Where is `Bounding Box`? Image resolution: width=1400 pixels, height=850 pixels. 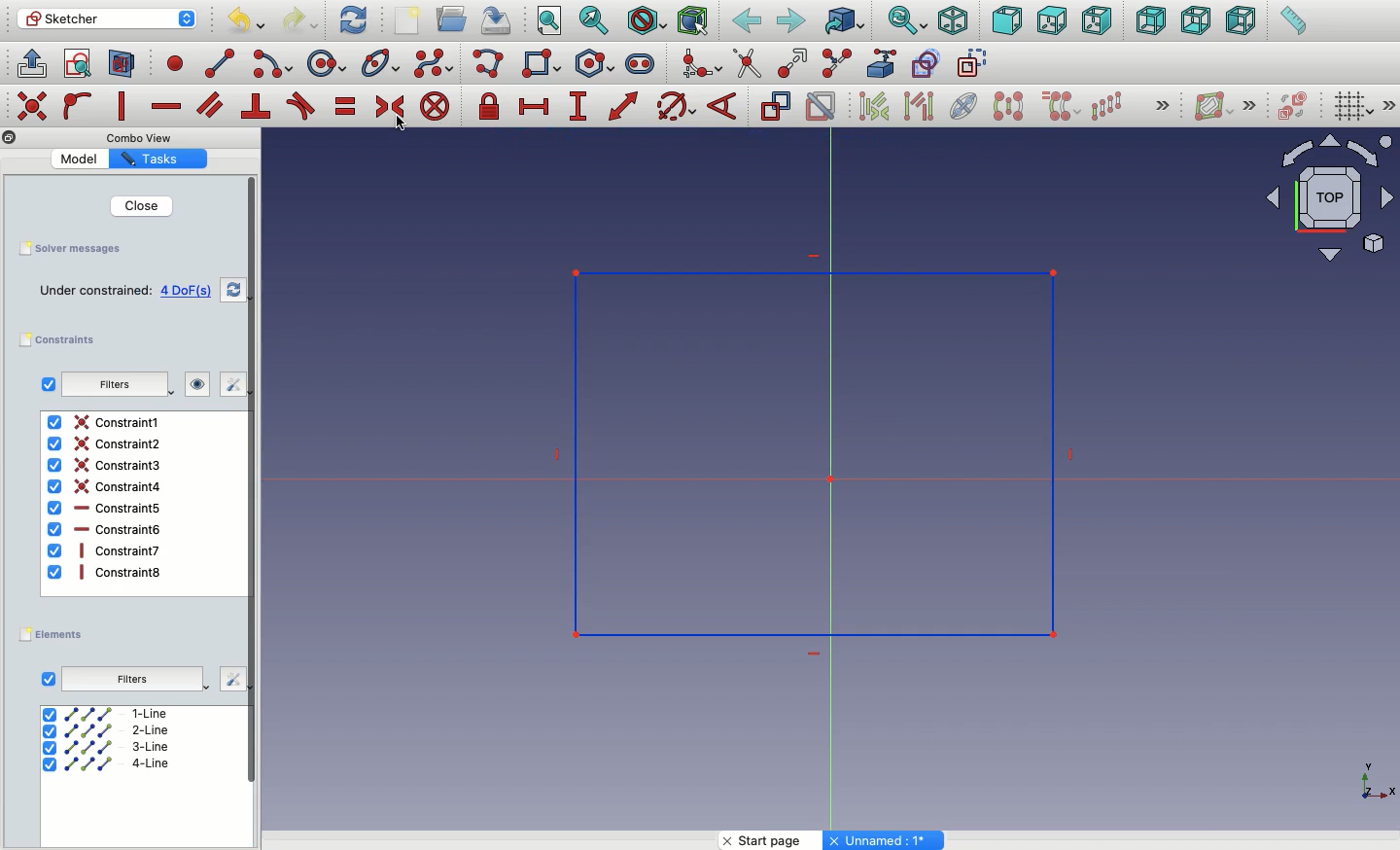 Bounding Box is located at coordinates (692, 21).